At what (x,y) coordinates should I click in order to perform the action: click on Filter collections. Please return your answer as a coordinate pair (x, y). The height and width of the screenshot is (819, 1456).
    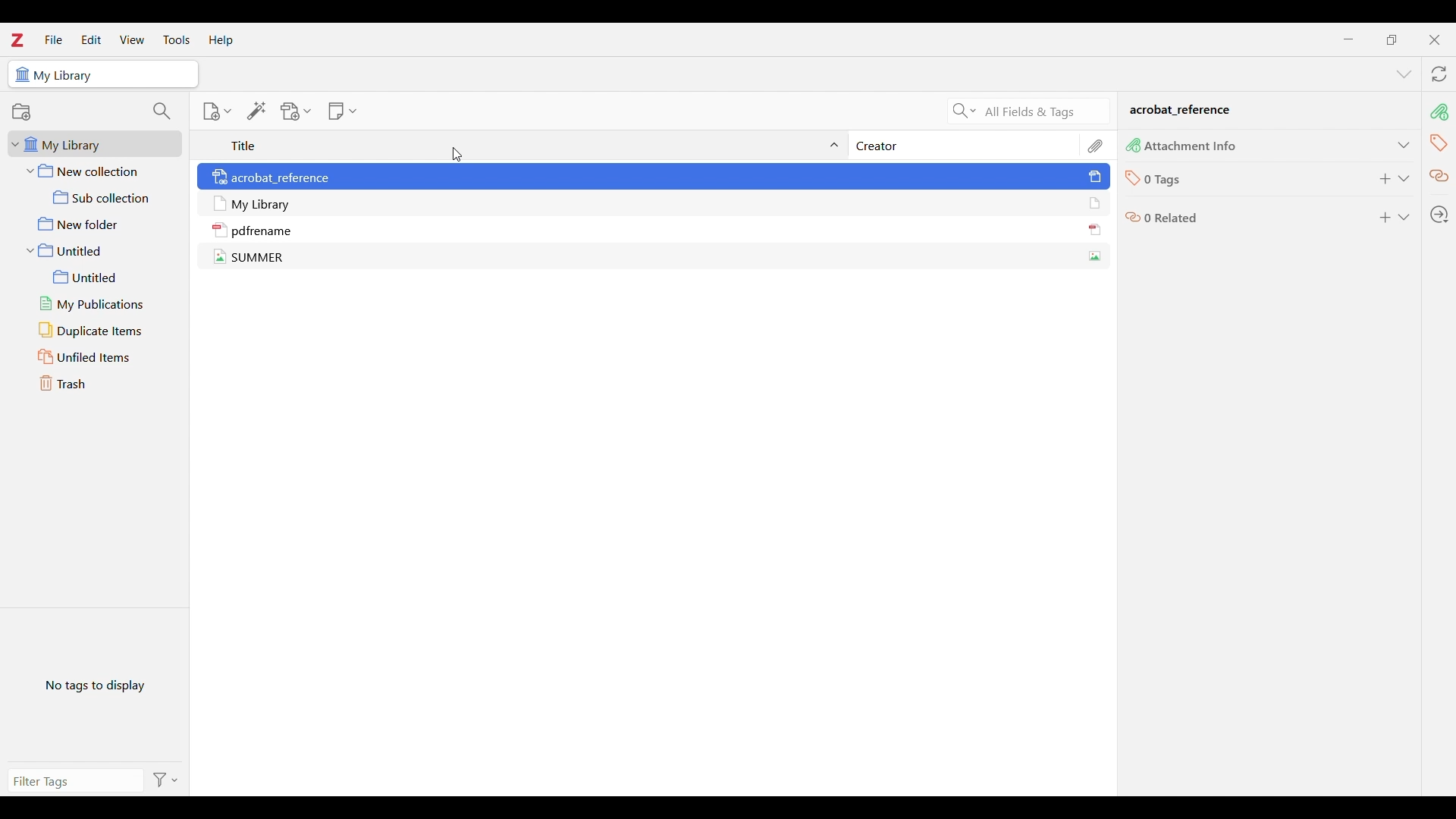
    Looking at the image, I should click on (162, 111).